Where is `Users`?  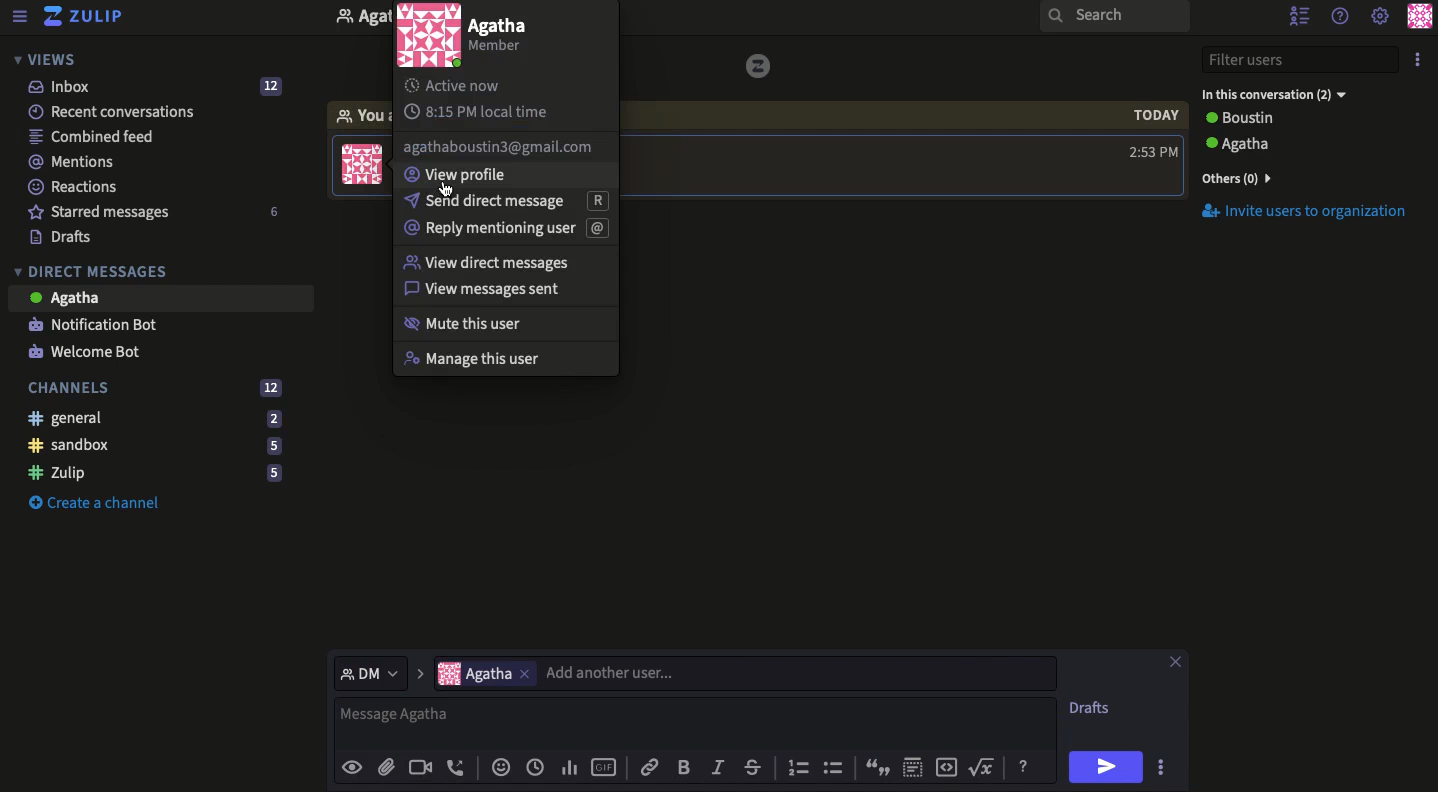 Users is located at coordinates (474, 673).